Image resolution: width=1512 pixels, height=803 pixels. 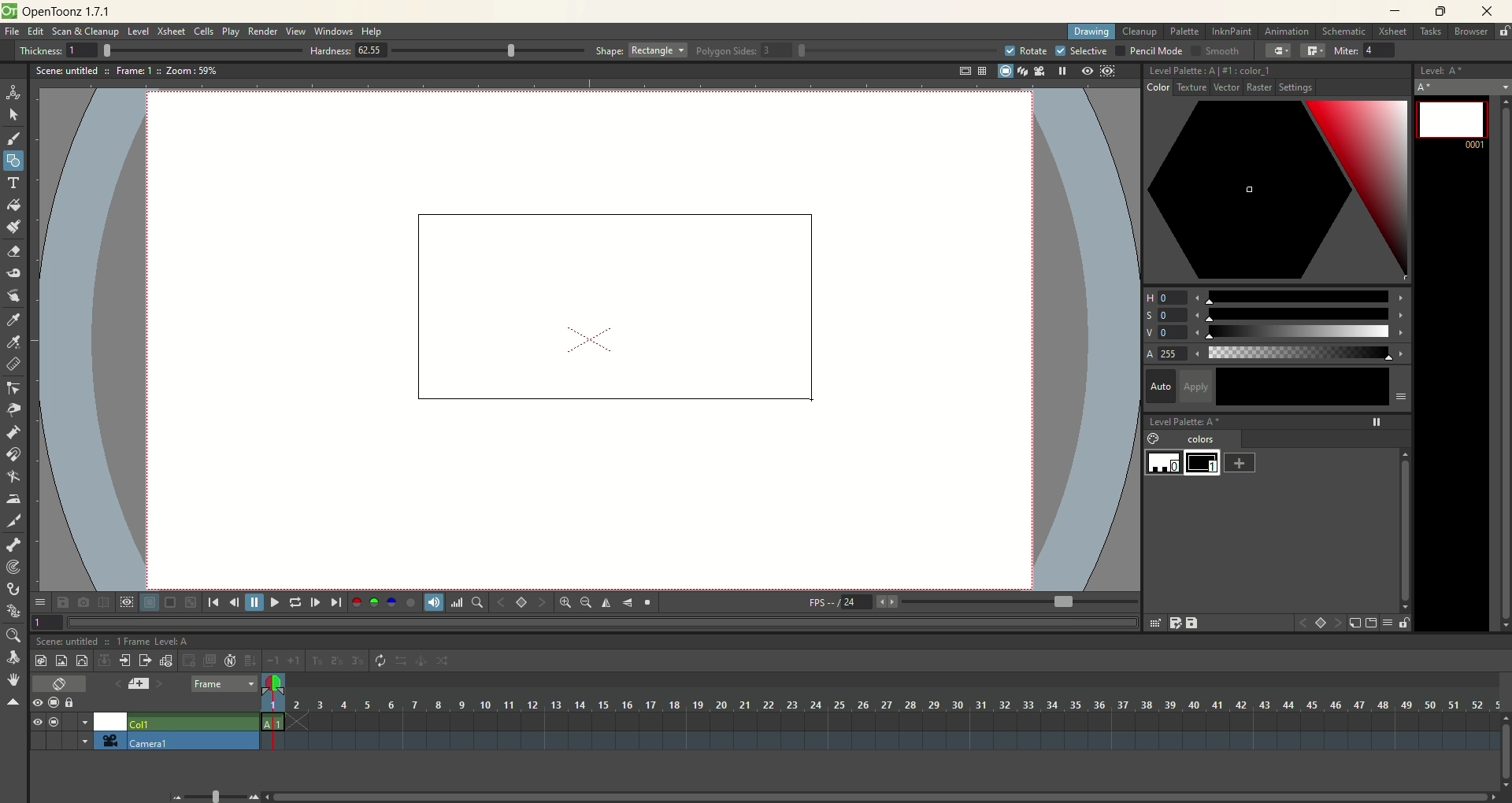 I want to click on , so click(x=423, y=662).